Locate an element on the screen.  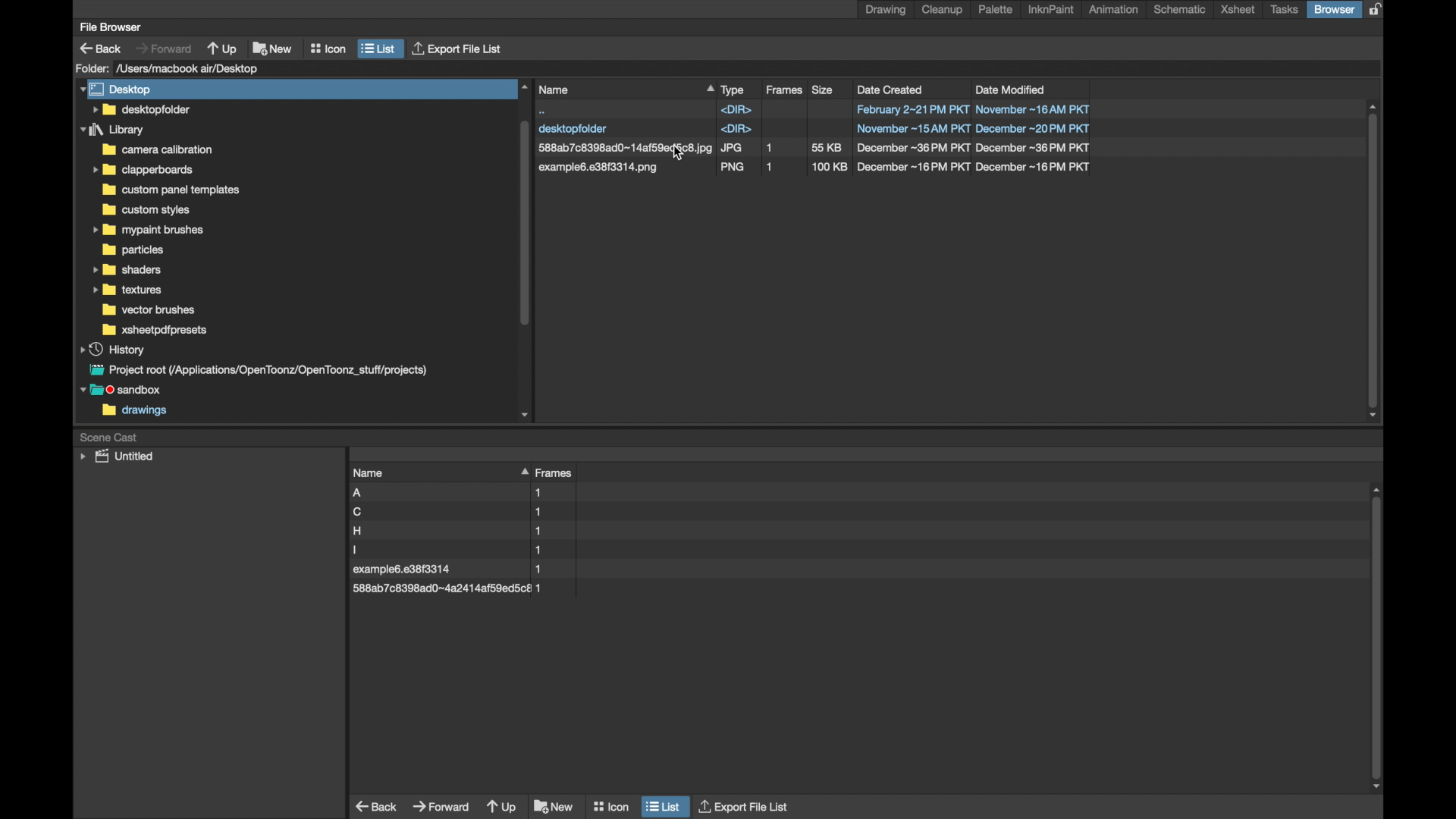
date created is located at coordinates (891, 89).